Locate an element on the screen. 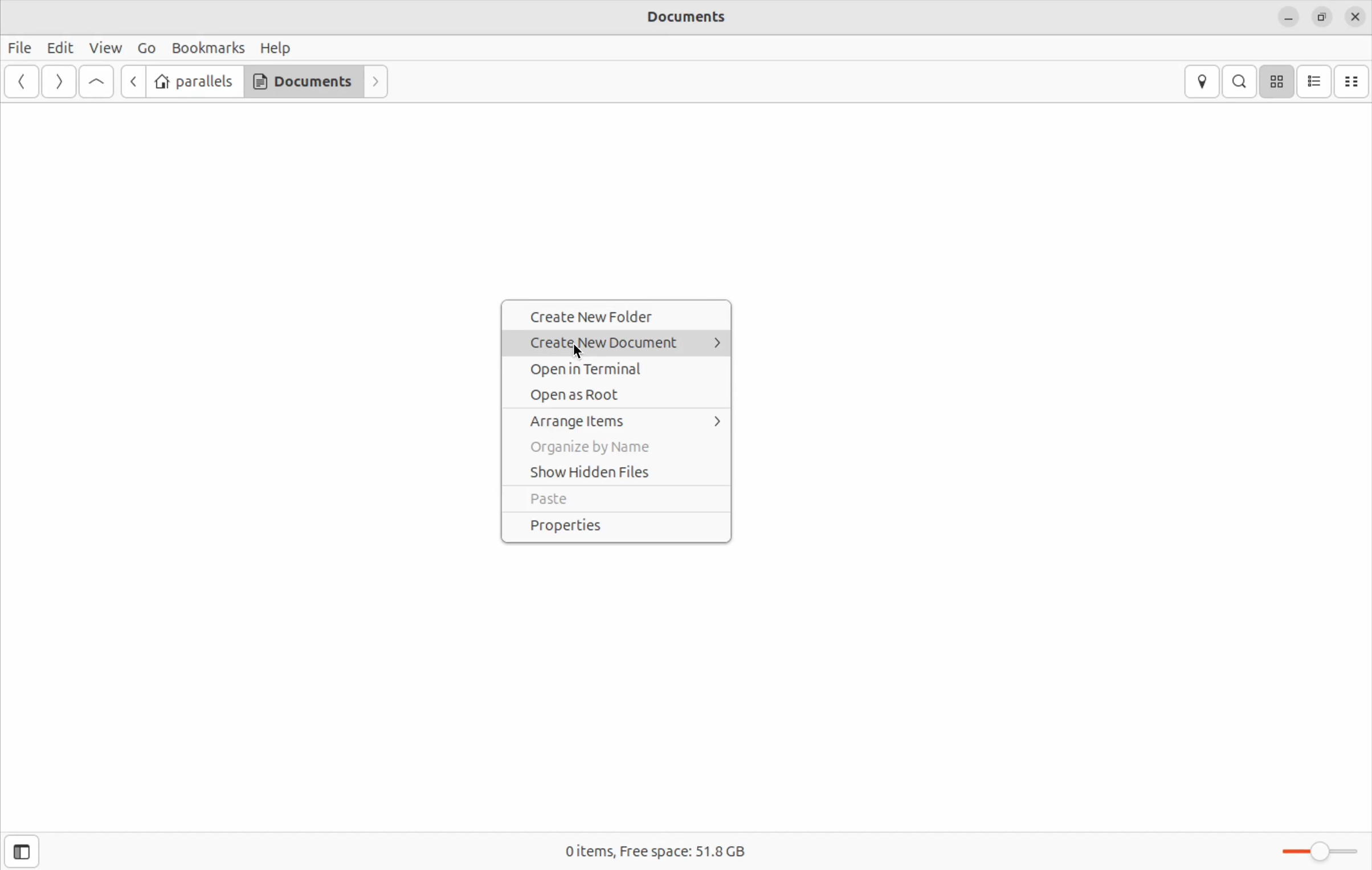  list view is located at coordinates (1315, 81).